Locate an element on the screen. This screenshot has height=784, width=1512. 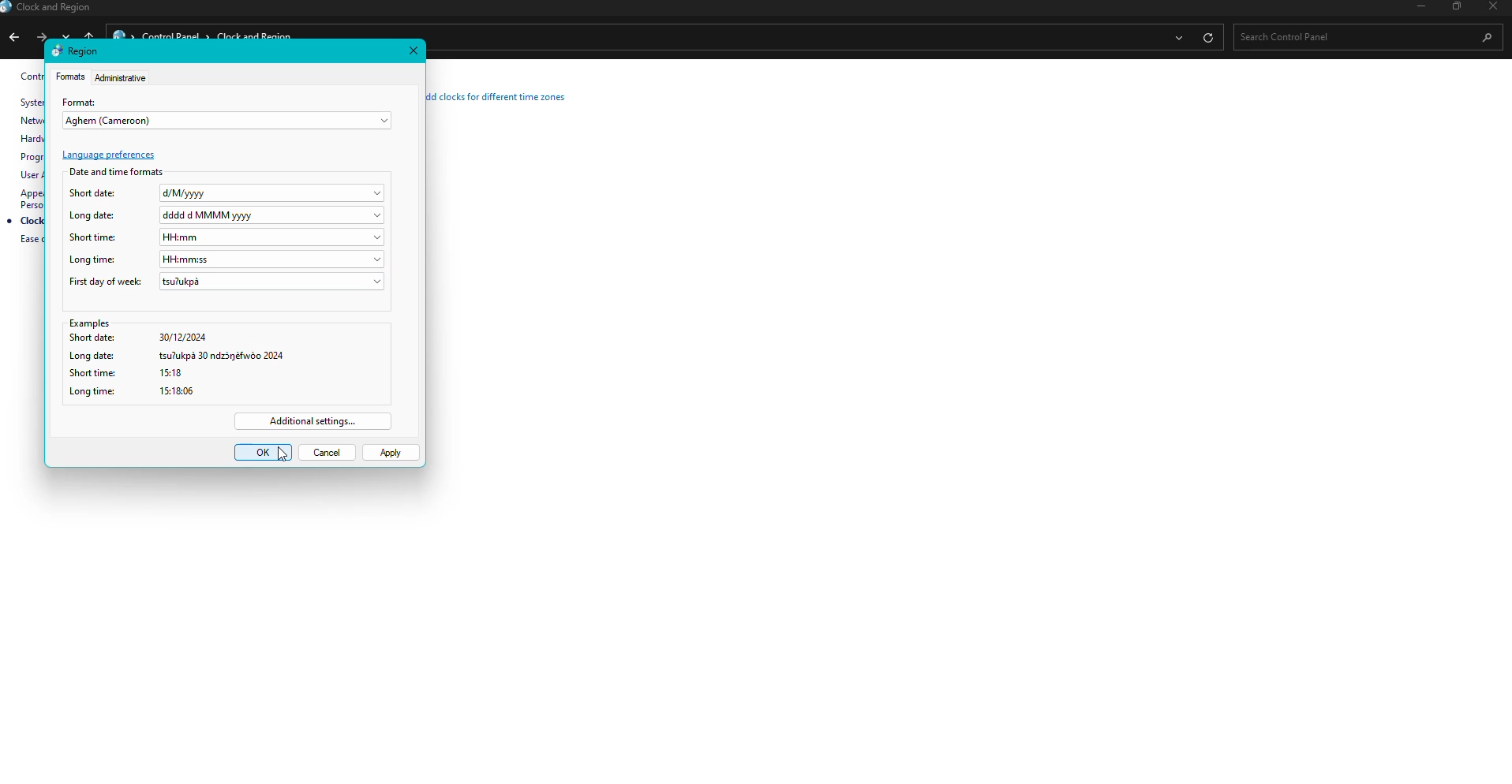
refresh is located at coordinates (1207, 37).